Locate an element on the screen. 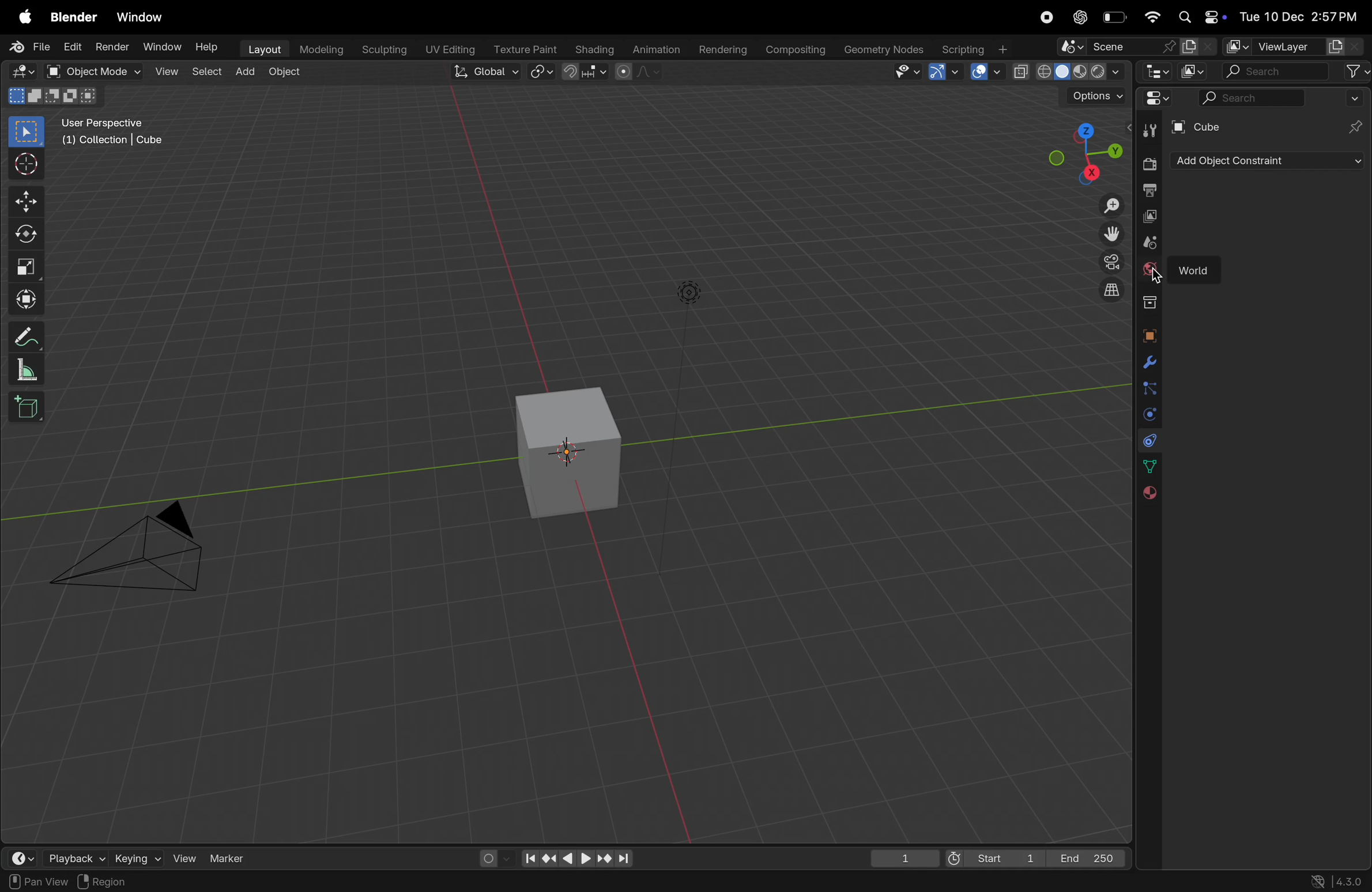 The width and height of the screenshot is (1372, 892). Display mode is located at coordinates (1194, 71).